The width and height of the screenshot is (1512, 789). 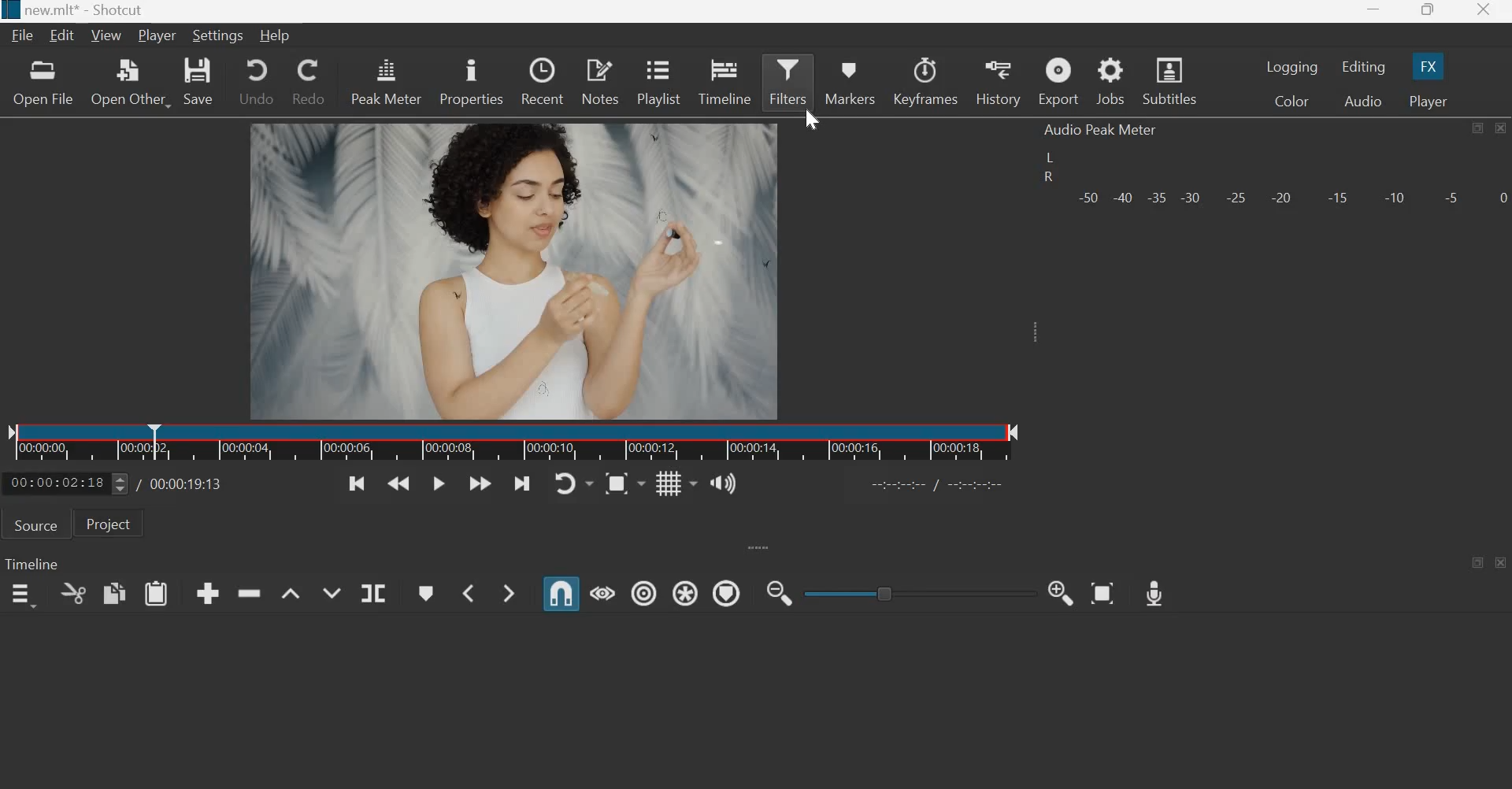 What do you see at coordinates (208, 595) in the screenshot?
I see `append` at bounding box center [208, 595].